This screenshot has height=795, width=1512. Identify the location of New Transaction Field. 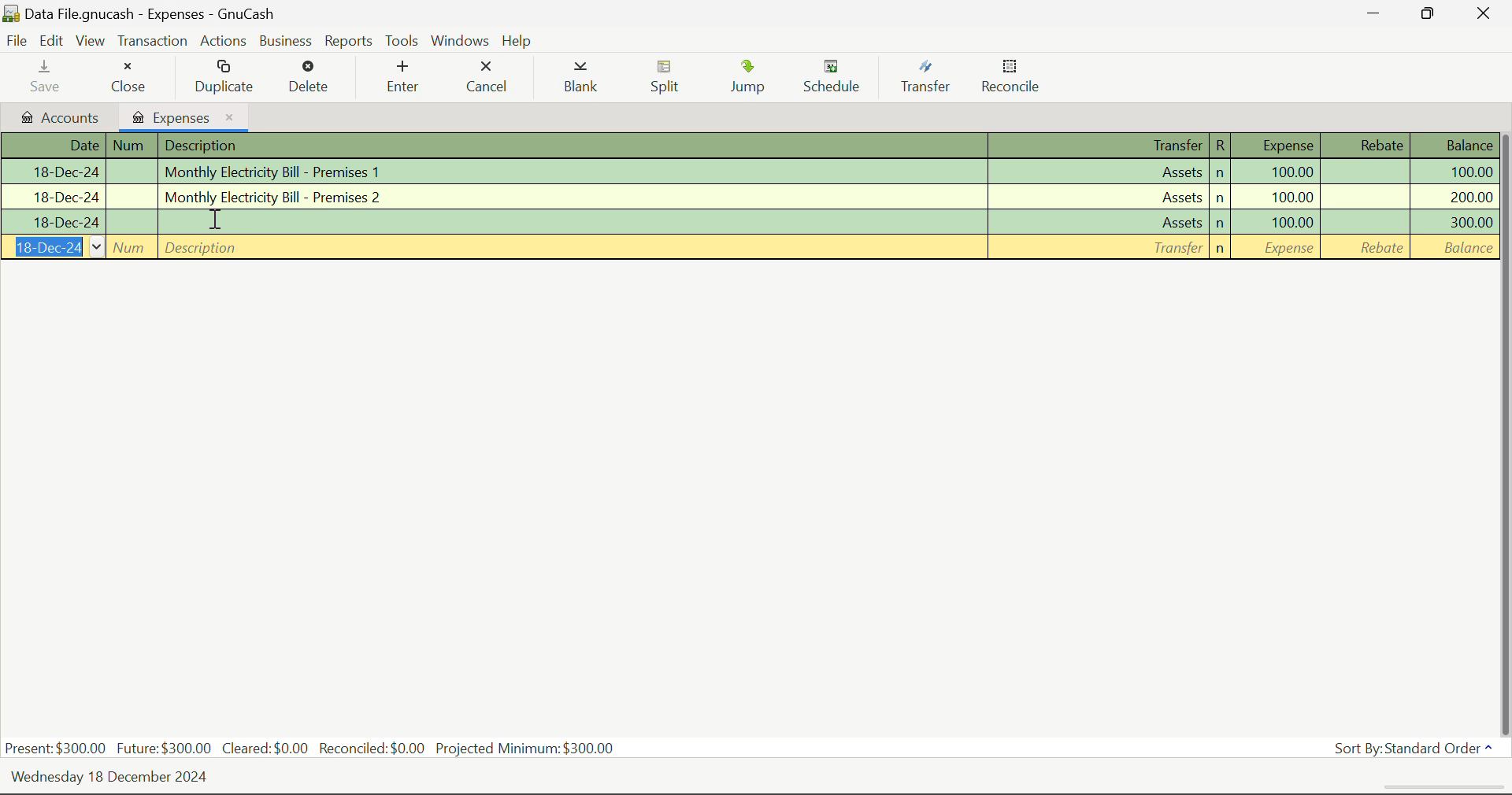
(756, 247).